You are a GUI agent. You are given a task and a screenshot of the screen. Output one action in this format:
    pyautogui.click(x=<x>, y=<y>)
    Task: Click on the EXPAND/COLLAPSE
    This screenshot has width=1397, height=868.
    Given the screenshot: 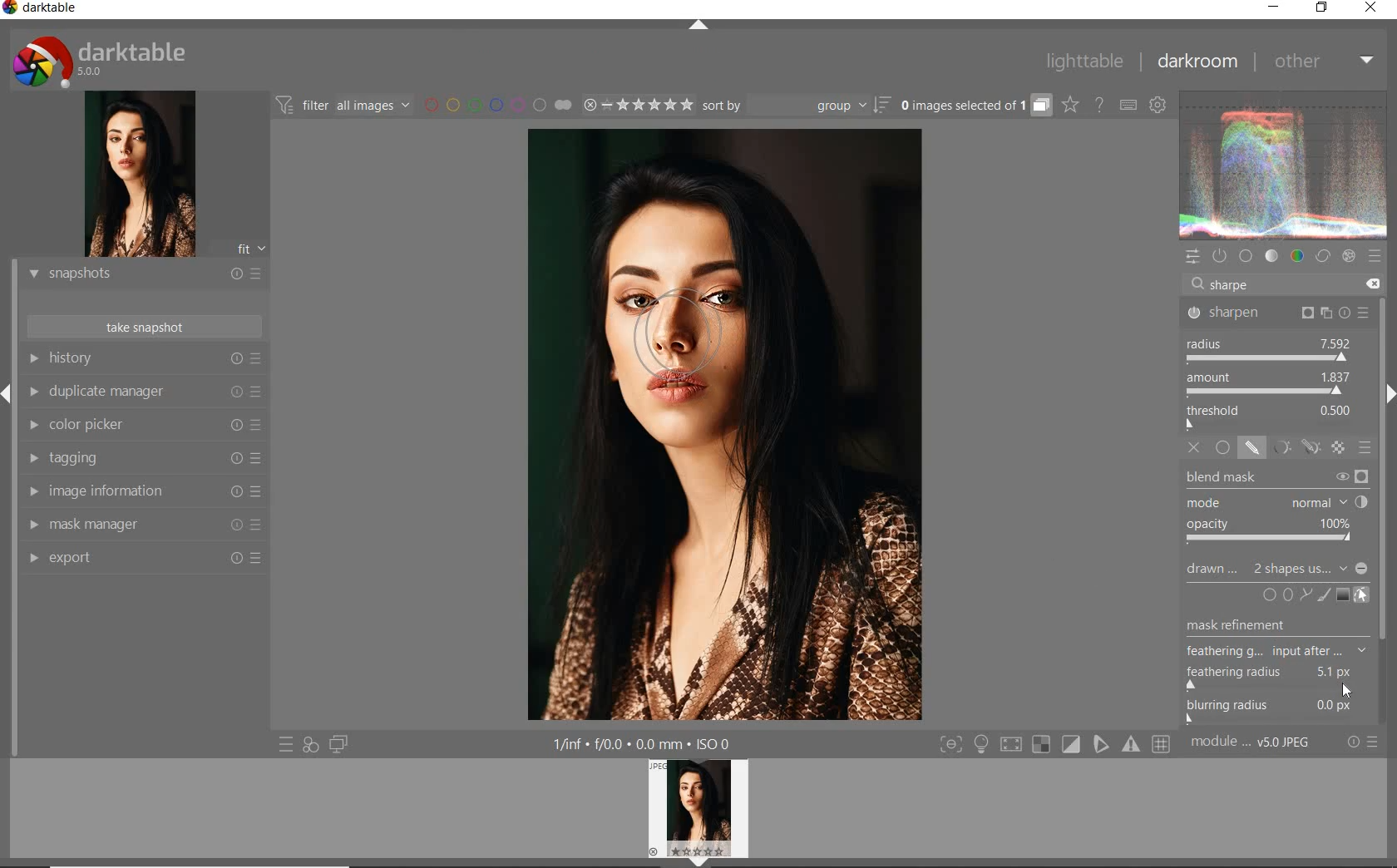 What is the action you would take?
    pyautogui.click(x=696, y=26)
    